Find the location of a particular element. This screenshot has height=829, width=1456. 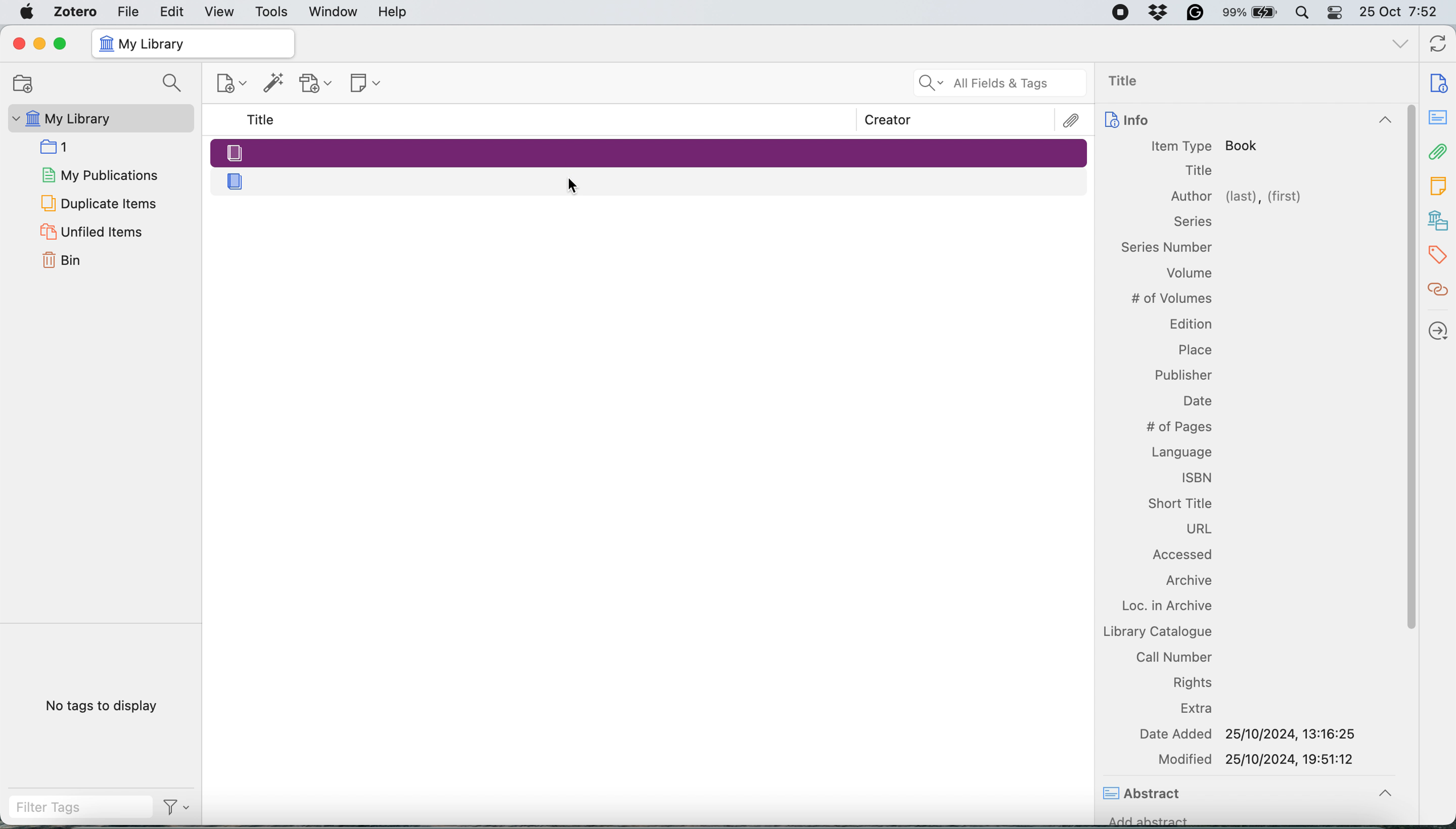

Document is located at coordinates (1439, 83).